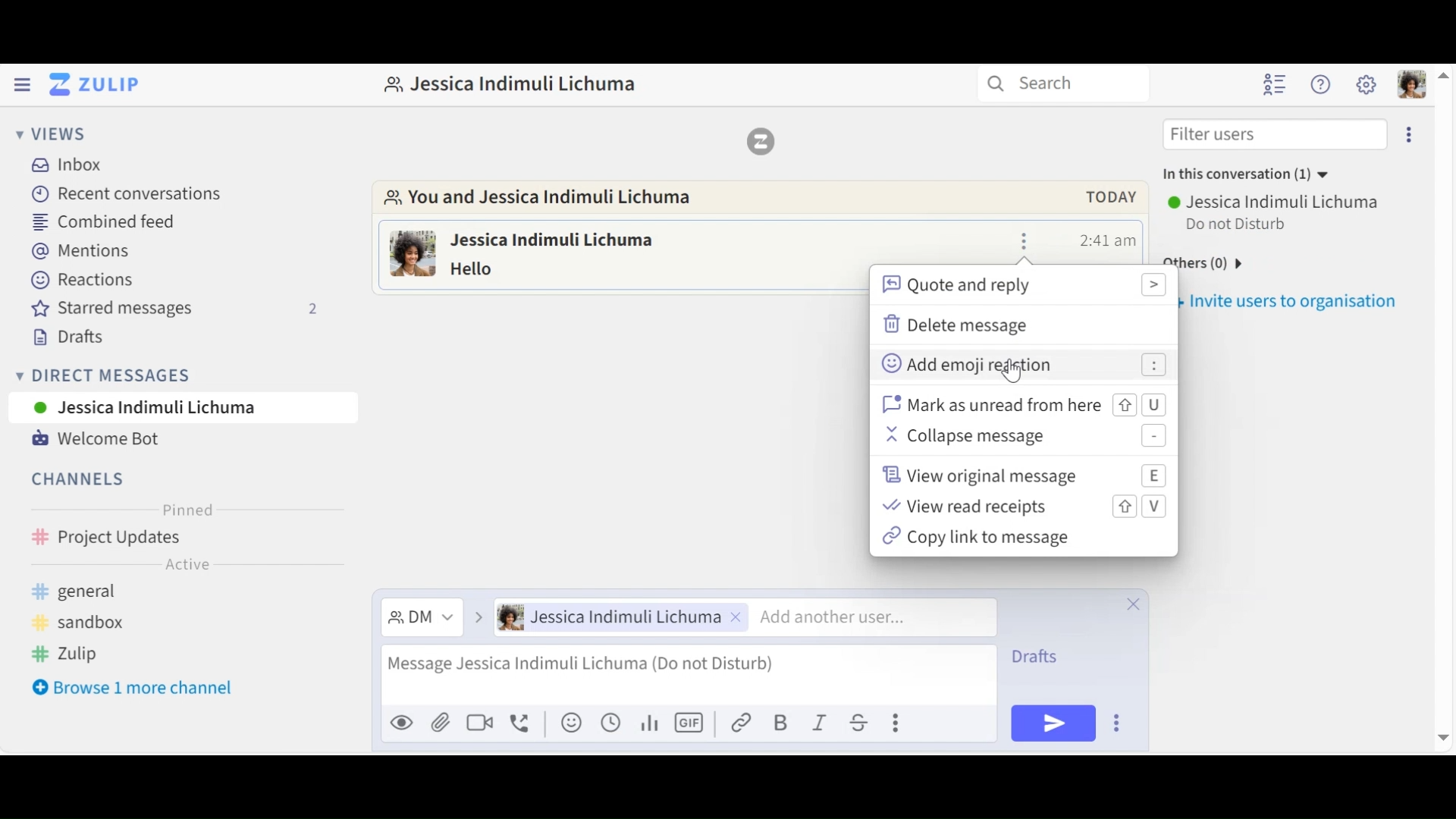  I want to click on Add emoji  reaction, so click(1022, 366).